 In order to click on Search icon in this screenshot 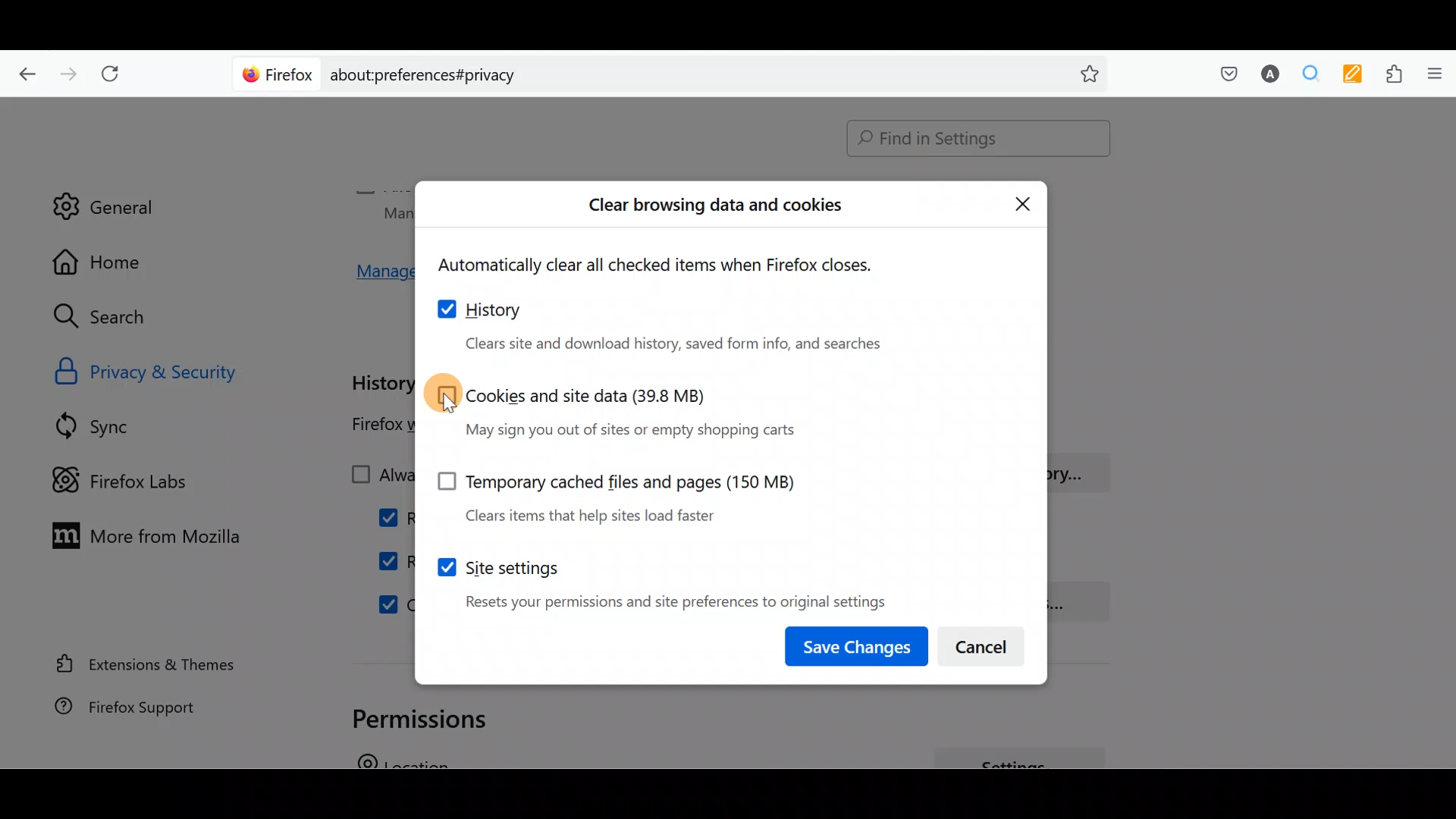, I will do `click(115, 317)`.